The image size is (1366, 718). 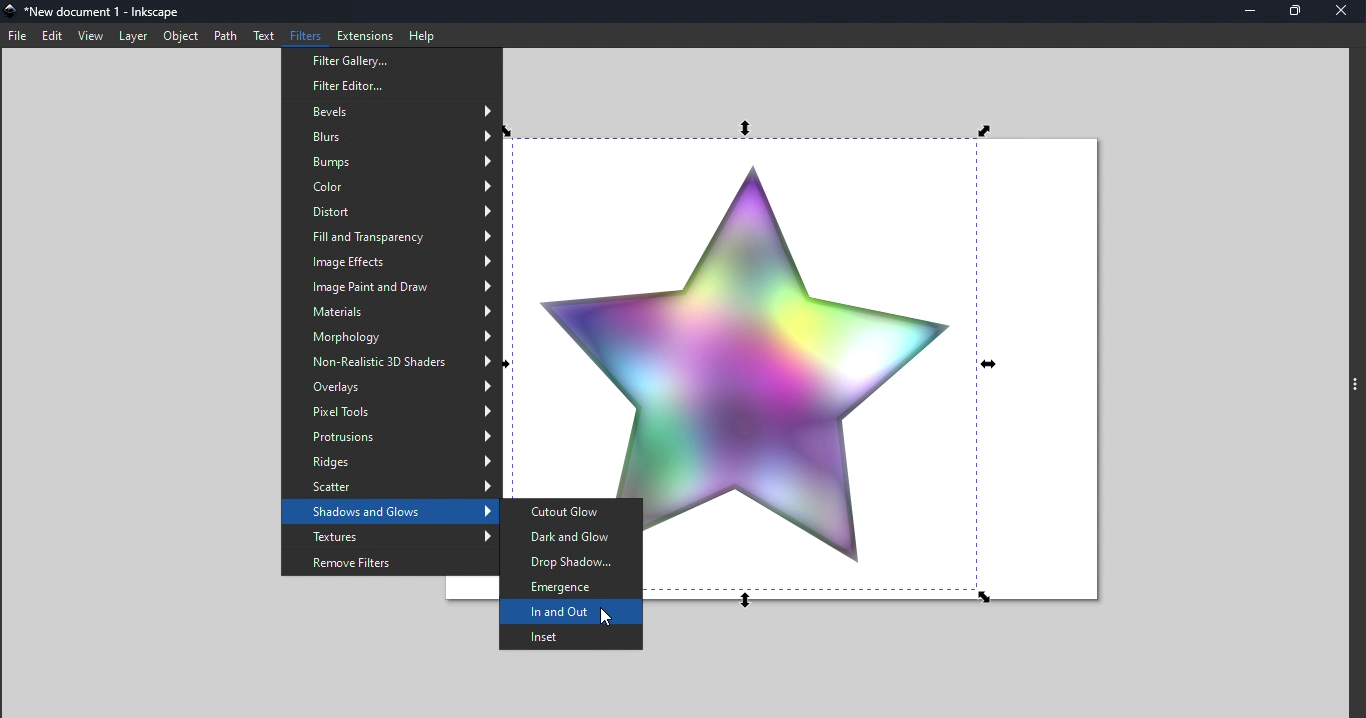 What do you see at coordinates (392, 211) in the screenshot?
I see `Distort` at bounding box center [392, 211].